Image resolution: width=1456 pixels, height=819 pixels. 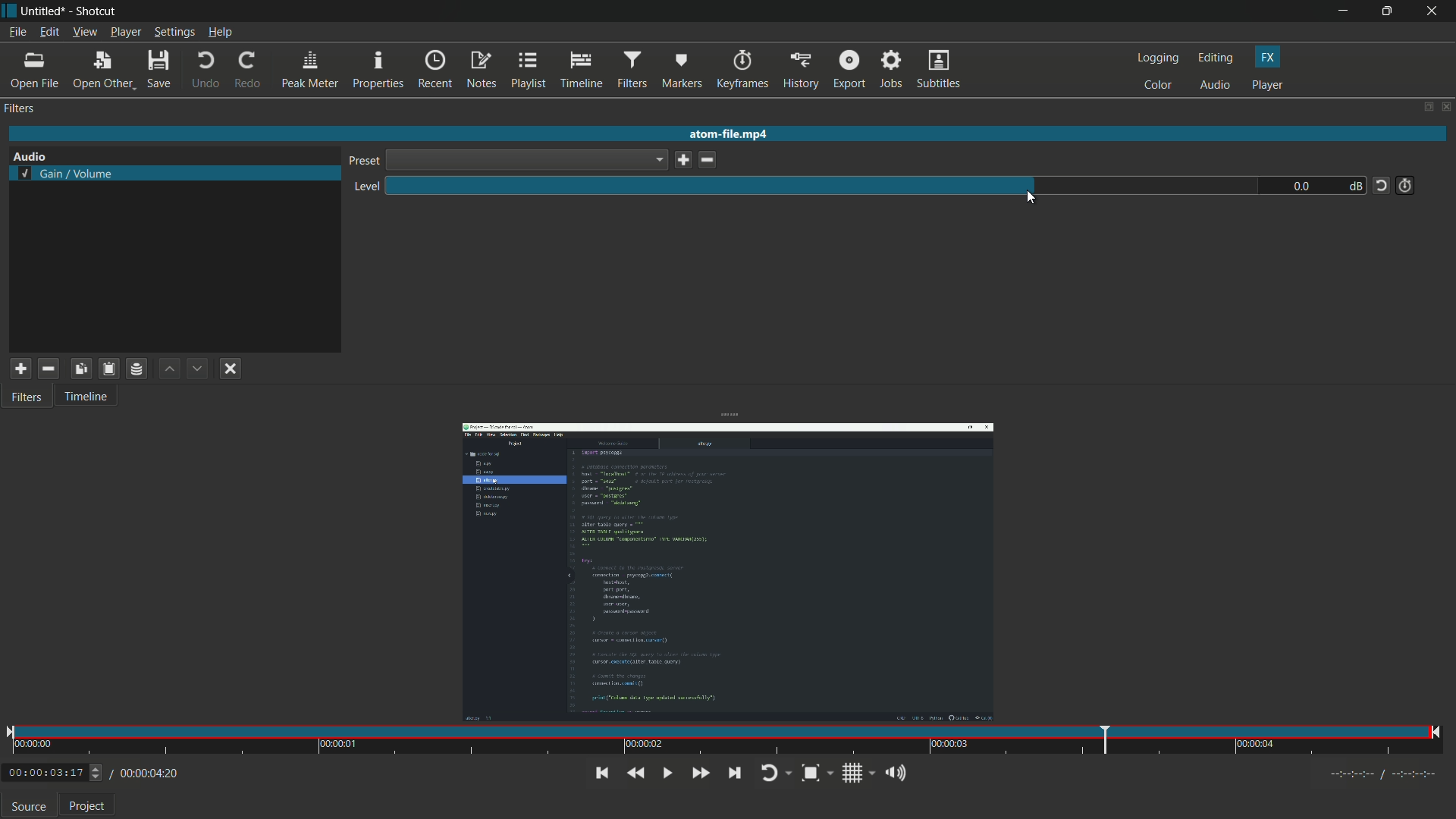 I want to click on subtitles, so click(x=941, y=71).